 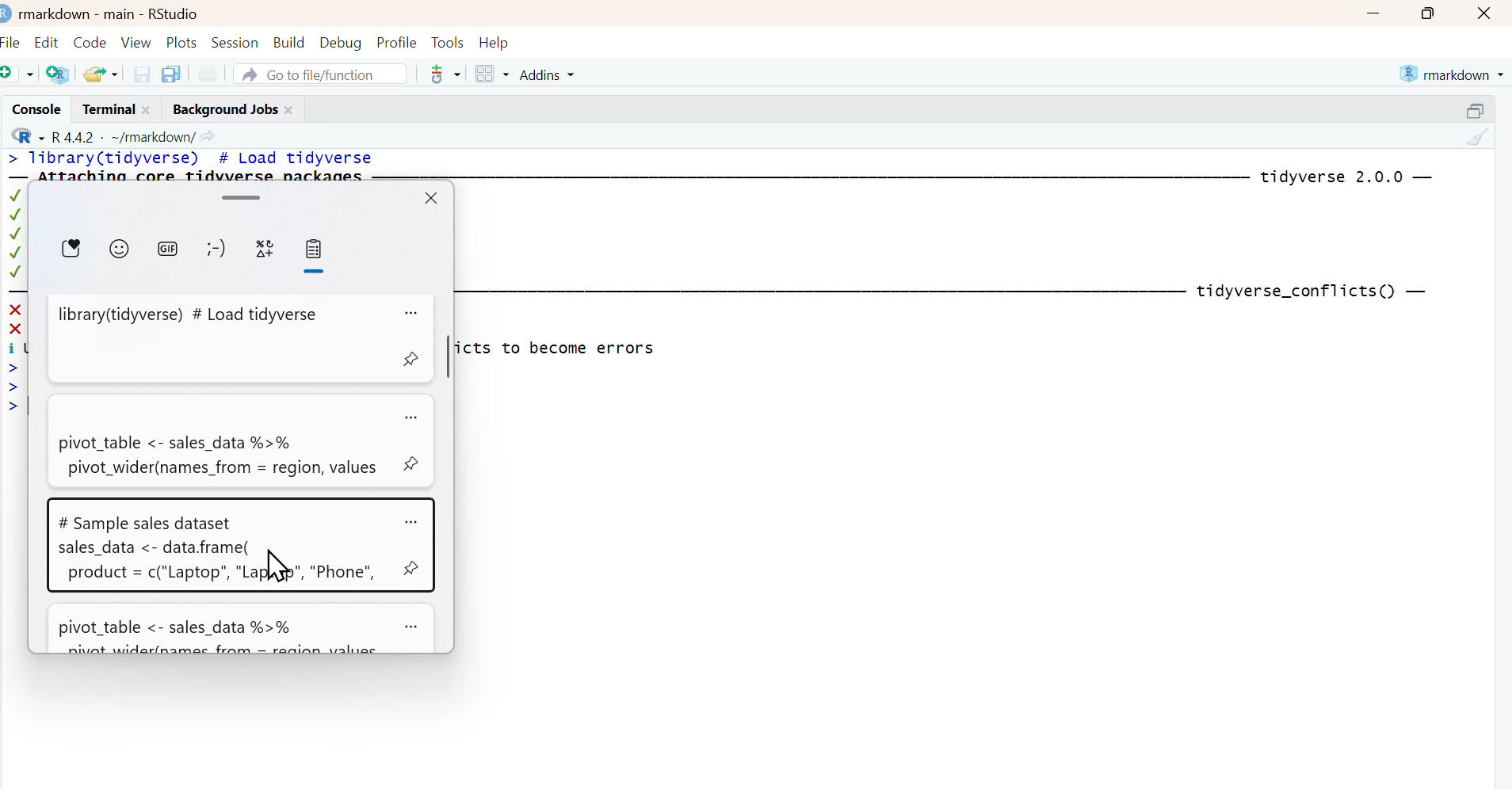 I want to click on >, so click(x=12, y=159).